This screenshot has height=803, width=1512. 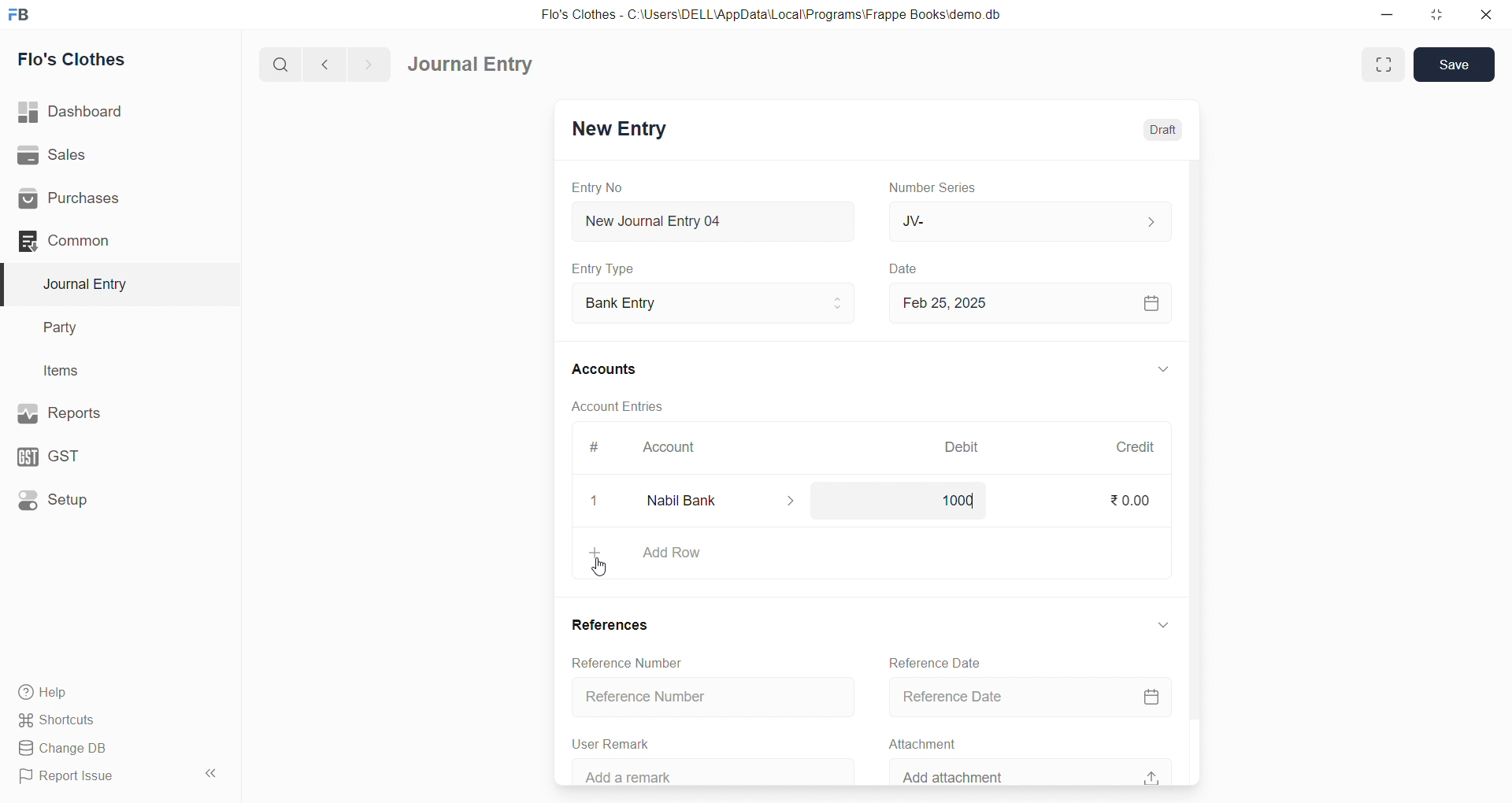 What do you see at coordinates (906, 269) in the screenshot?
I see `Date` at bounding box center [906, 269].